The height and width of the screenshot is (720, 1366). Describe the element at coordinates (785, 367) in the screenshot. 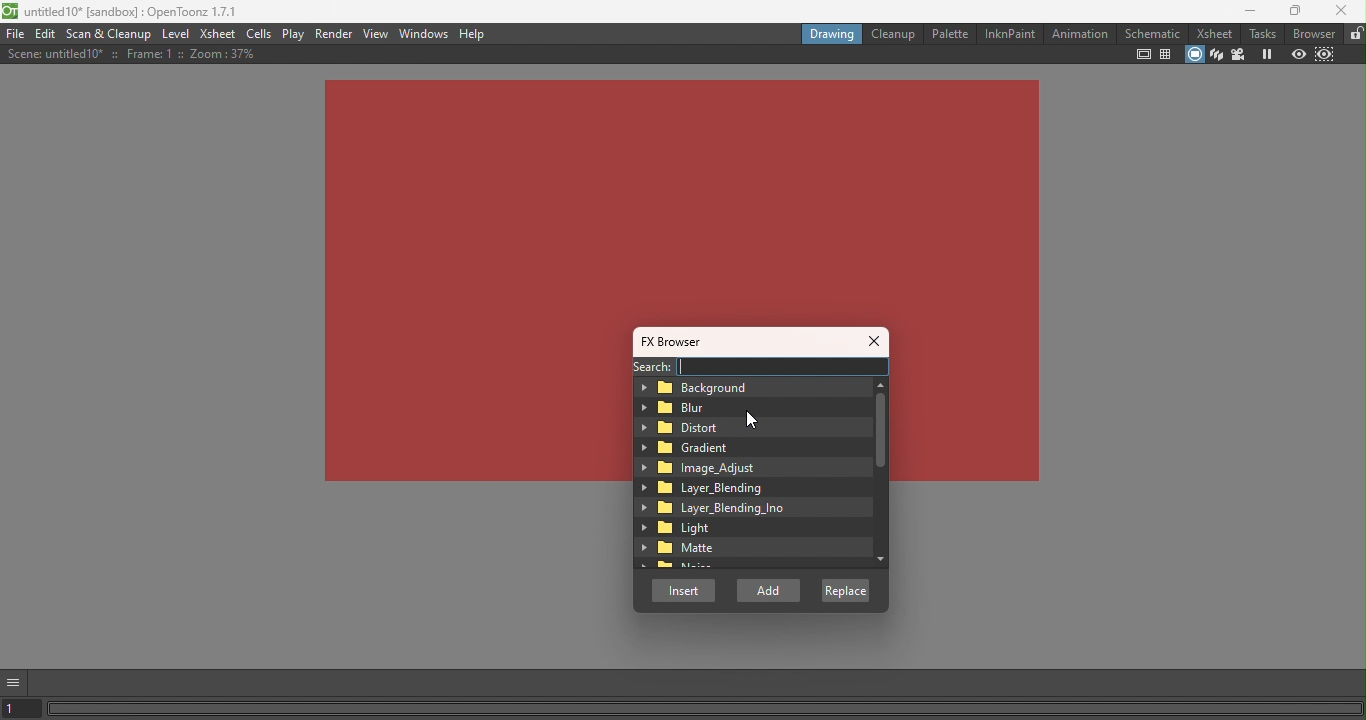

I see `Search bar` at that location.